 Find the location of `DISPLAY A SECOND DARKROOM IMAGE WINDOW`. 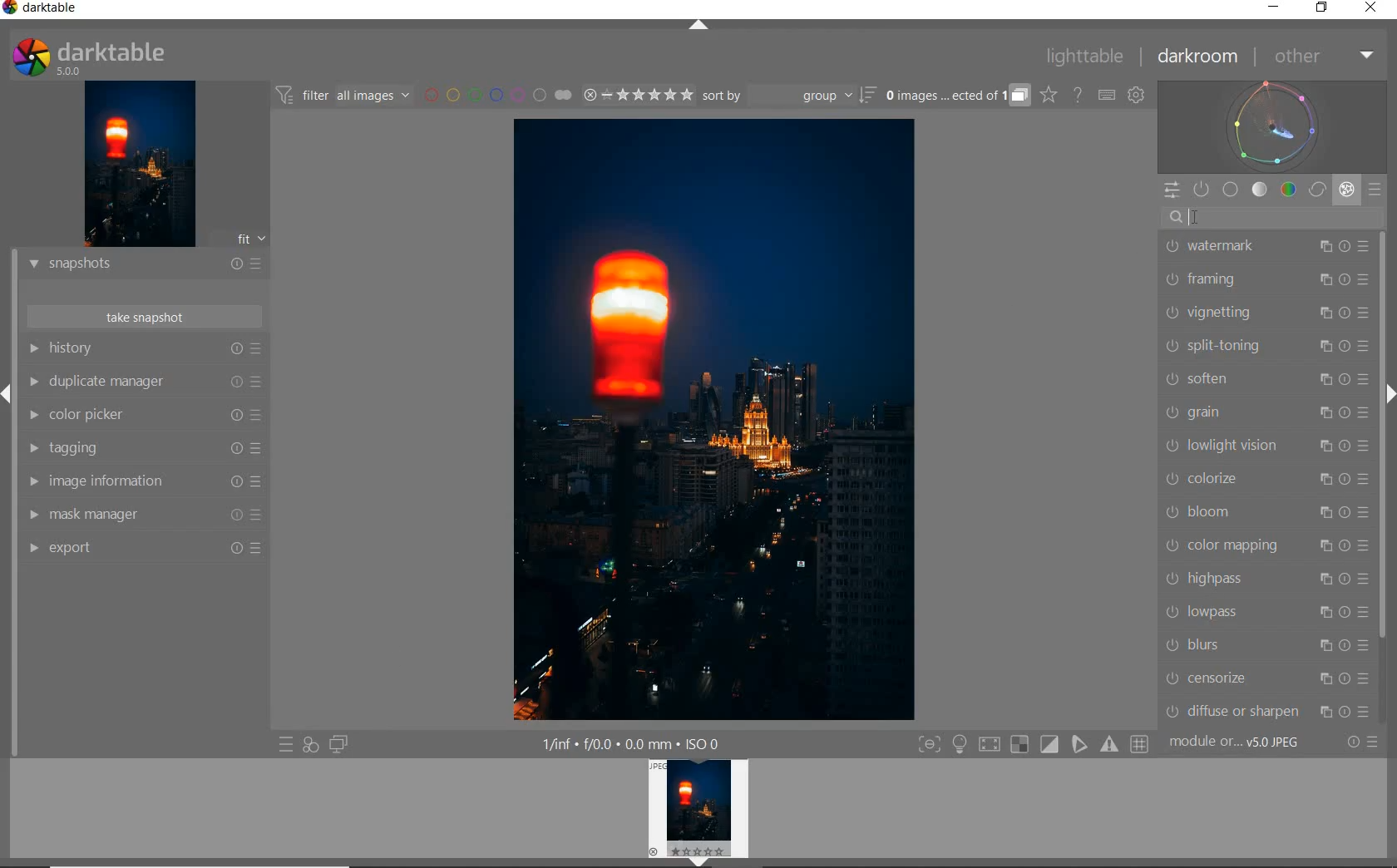

DISPLAY A SECOND DARKROOM IMAGE WINDOW is located at coordinates (338, 745).